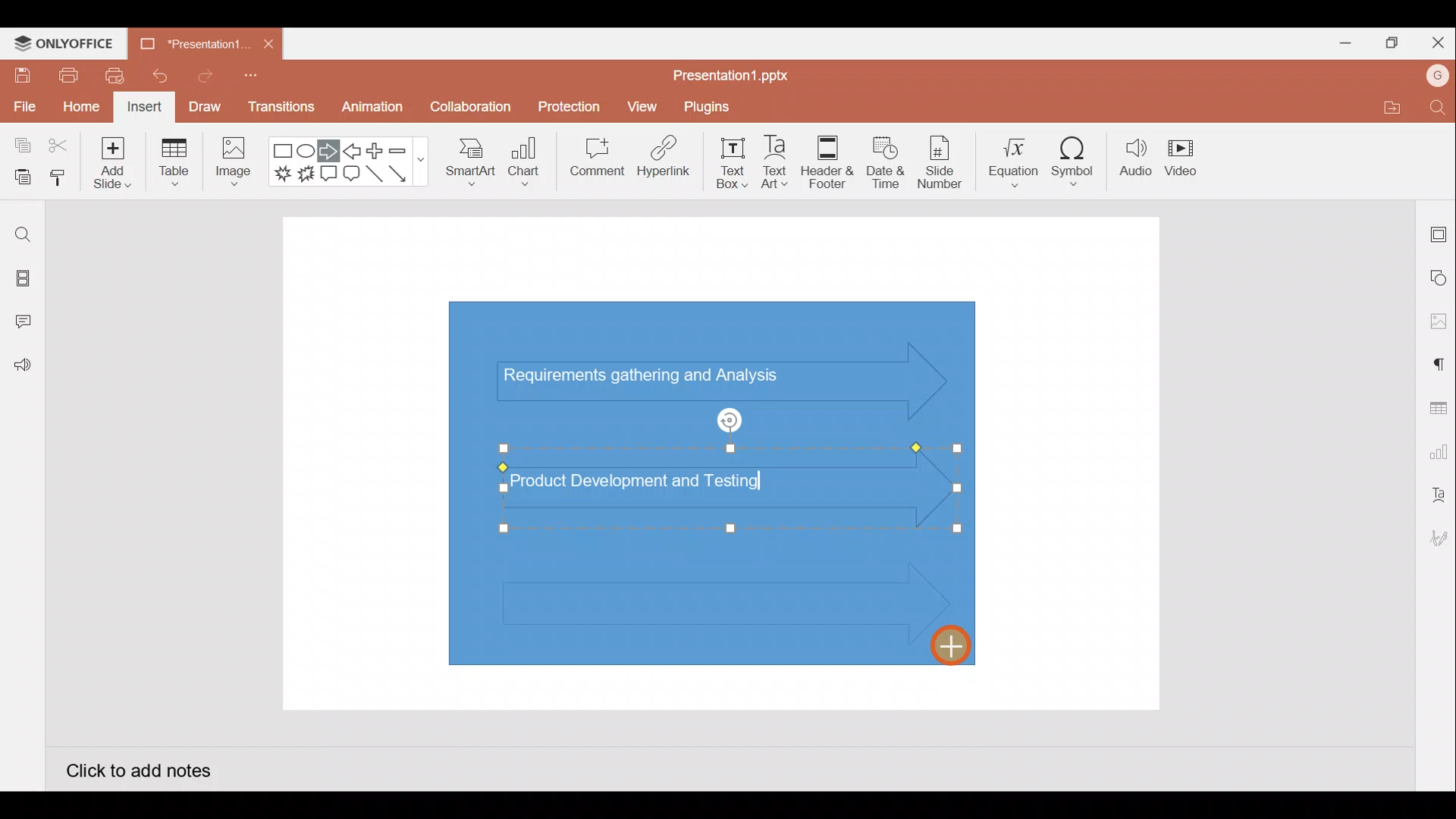  What do you see at coordinates (374, 111) in the screenshot?
I see `Animation` at bounding box center [374, 111].